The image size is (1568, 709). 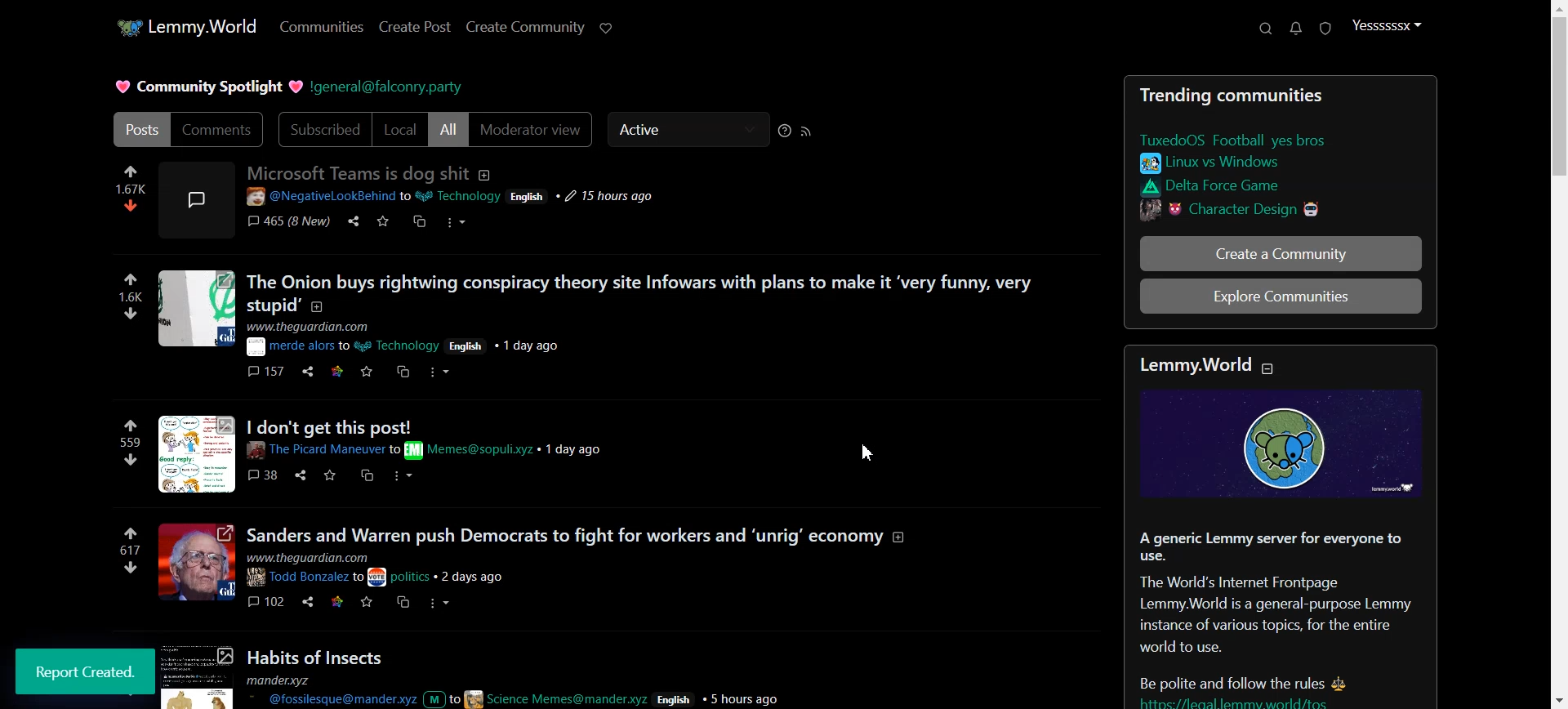 I want to click on Support, so click(x=1264, y=29).